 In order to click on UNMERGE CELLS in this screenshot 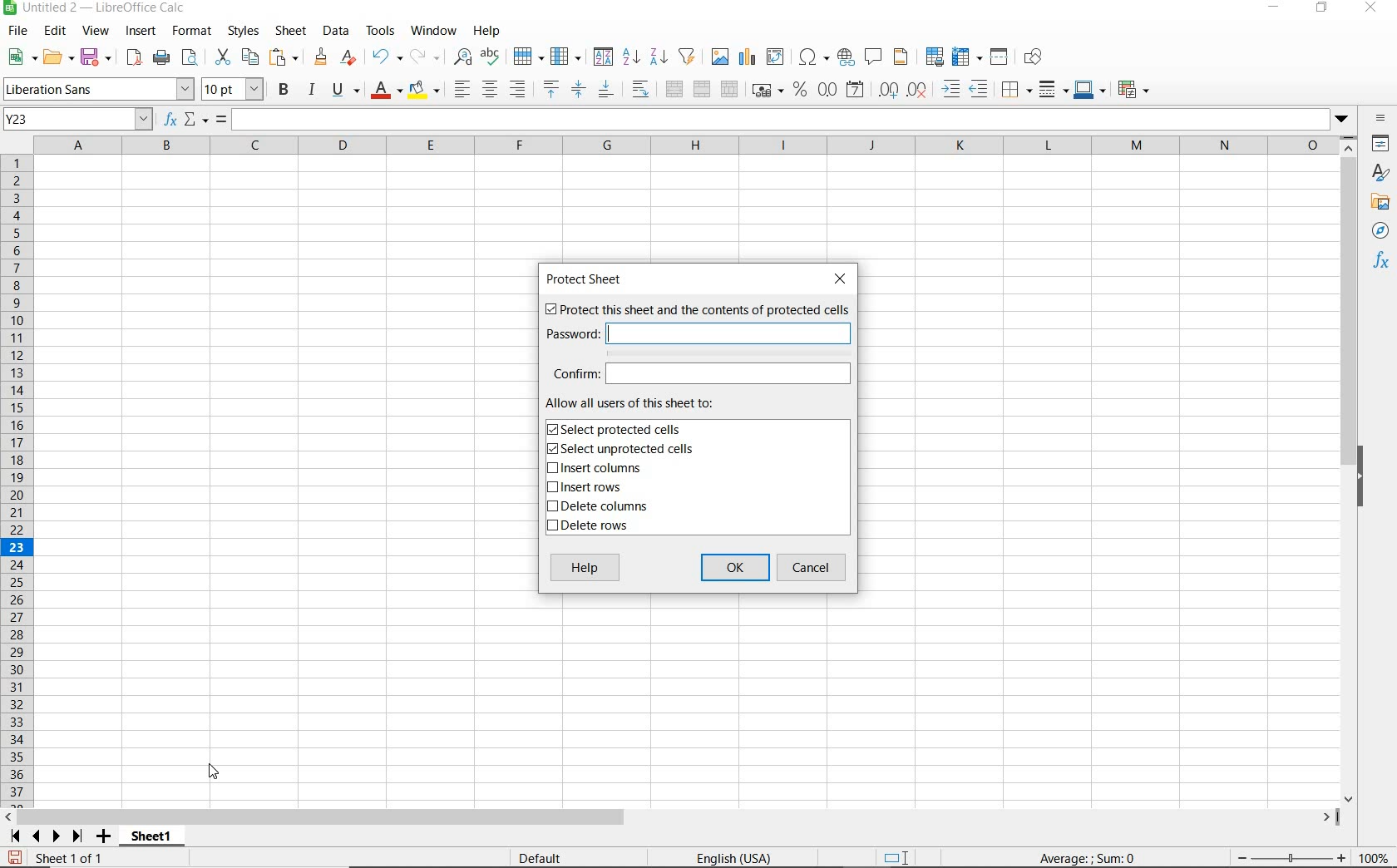, I will do `click(729, 90)`.